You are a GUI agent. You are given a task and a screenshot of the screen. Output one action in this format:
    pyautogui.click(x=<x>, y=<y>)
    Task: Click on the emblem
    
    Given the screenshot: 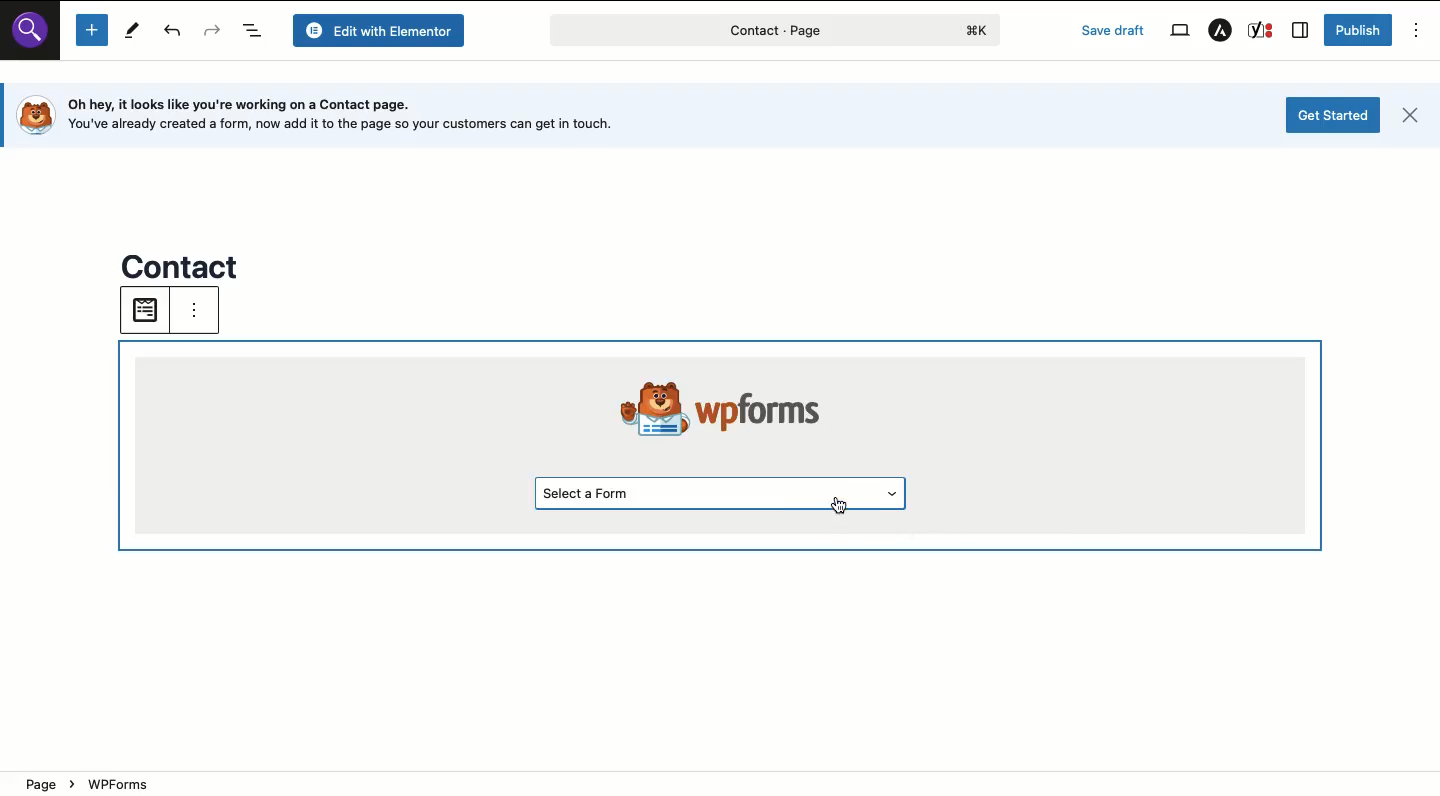 What is the action you would take?
    pyautogui.click(x=639, y=404)
    